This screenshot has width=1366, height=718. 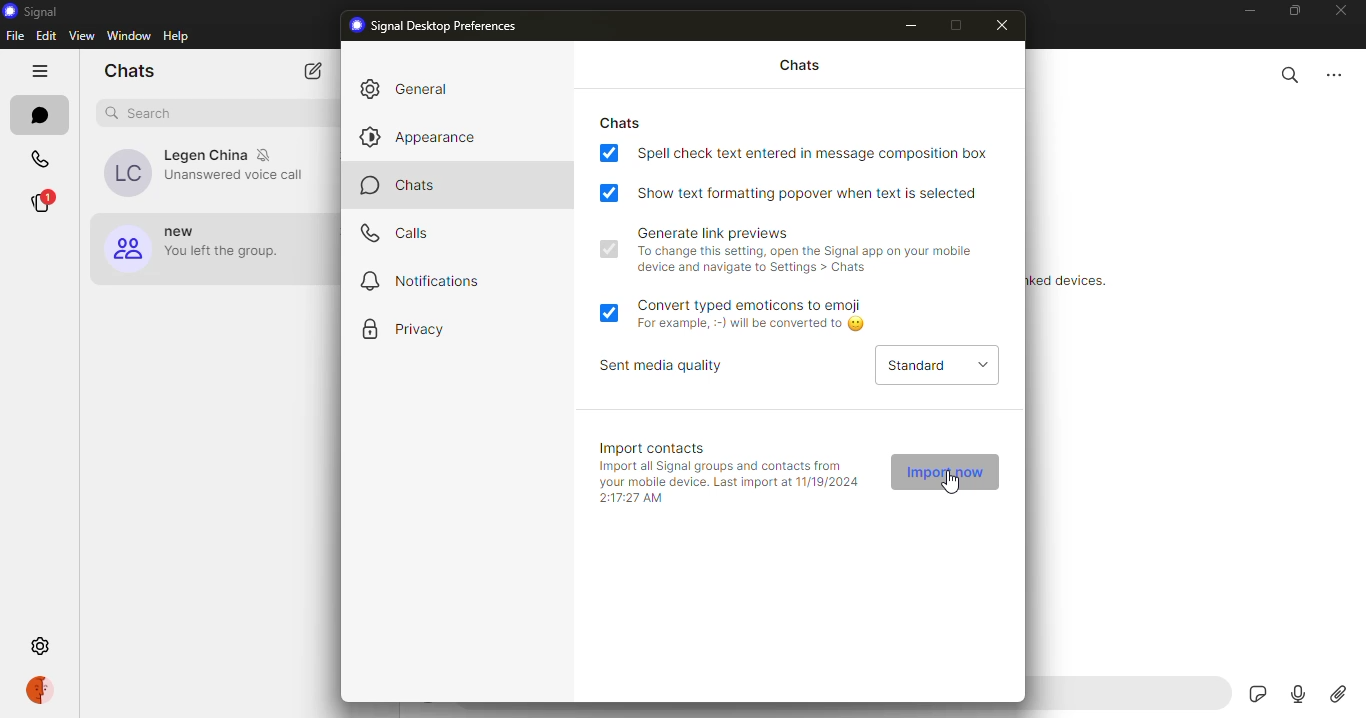 I want to click on example, so click(x=757, y=325).